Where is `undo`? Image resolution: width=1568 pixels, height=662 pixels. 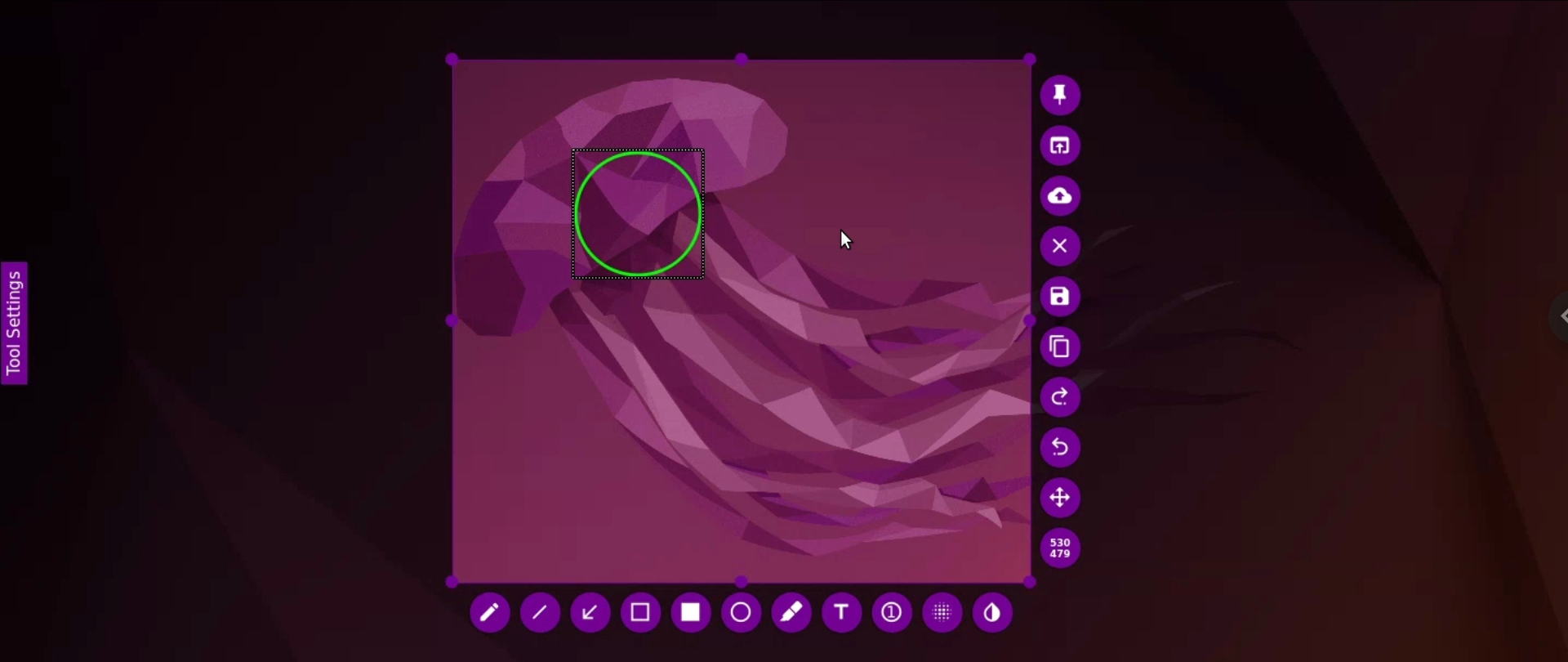
undo is located at coordinates (1060, 396).